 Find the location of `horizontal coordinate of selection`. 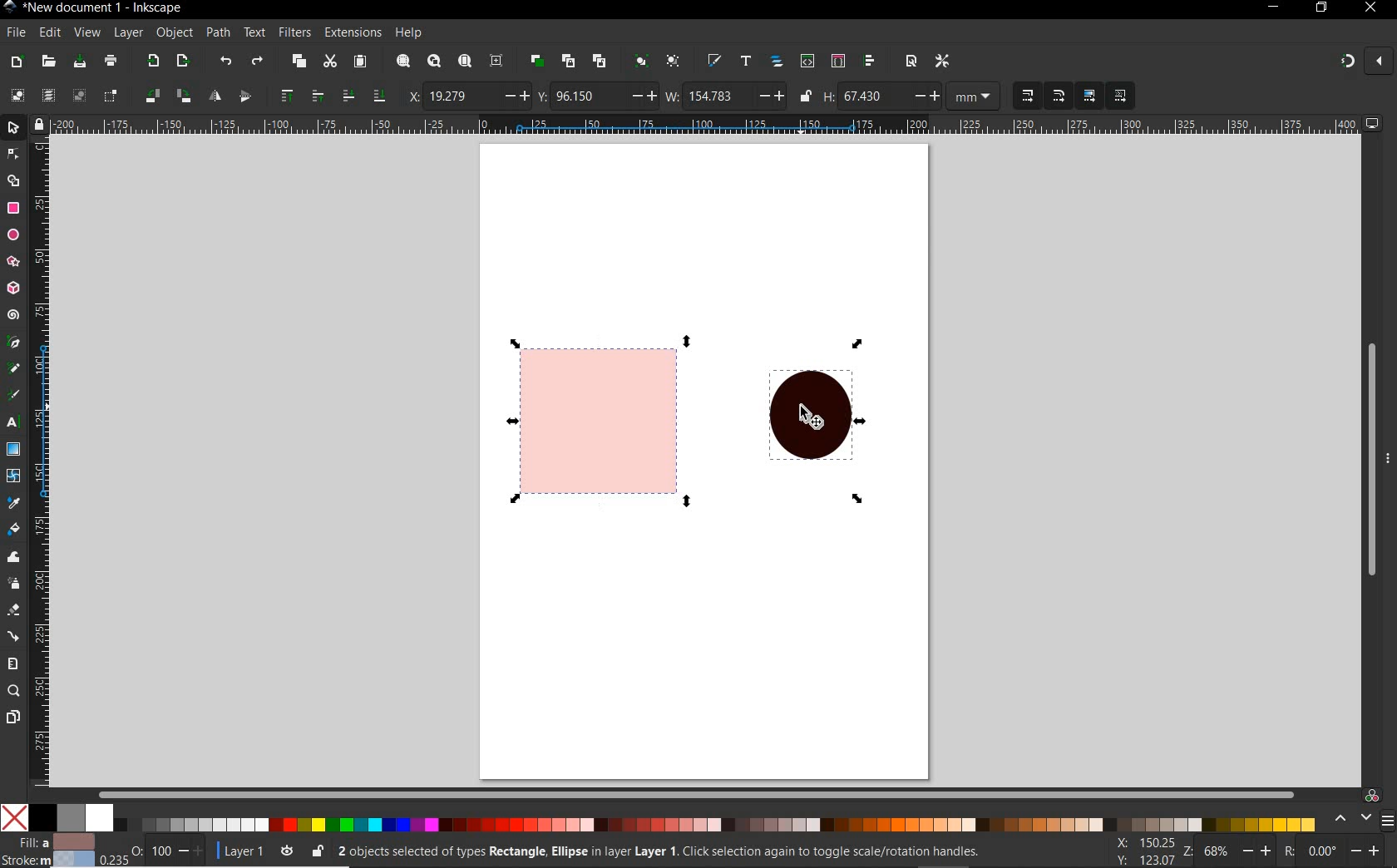

horizontal coordinate of selection is located at coordinates (468, 96).